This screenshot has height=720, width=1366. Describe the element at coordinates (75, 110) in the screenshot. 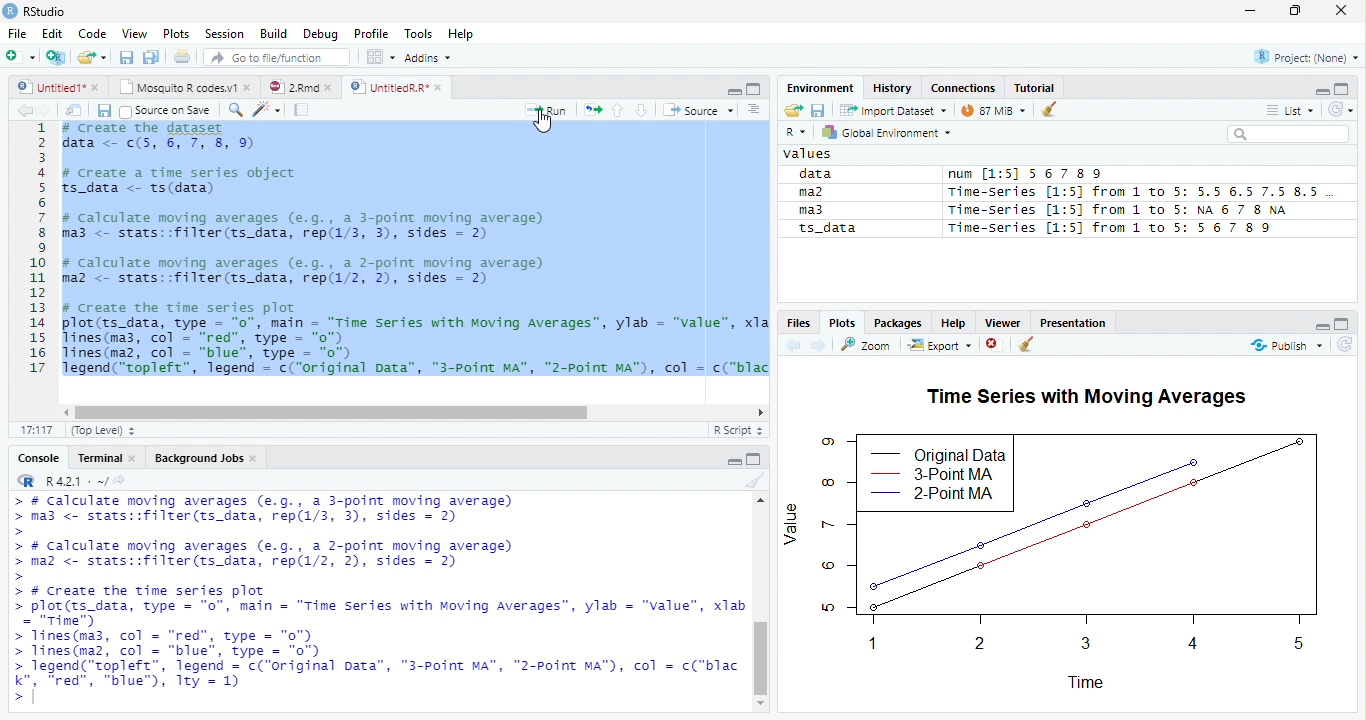

I see `show in window` at that location.